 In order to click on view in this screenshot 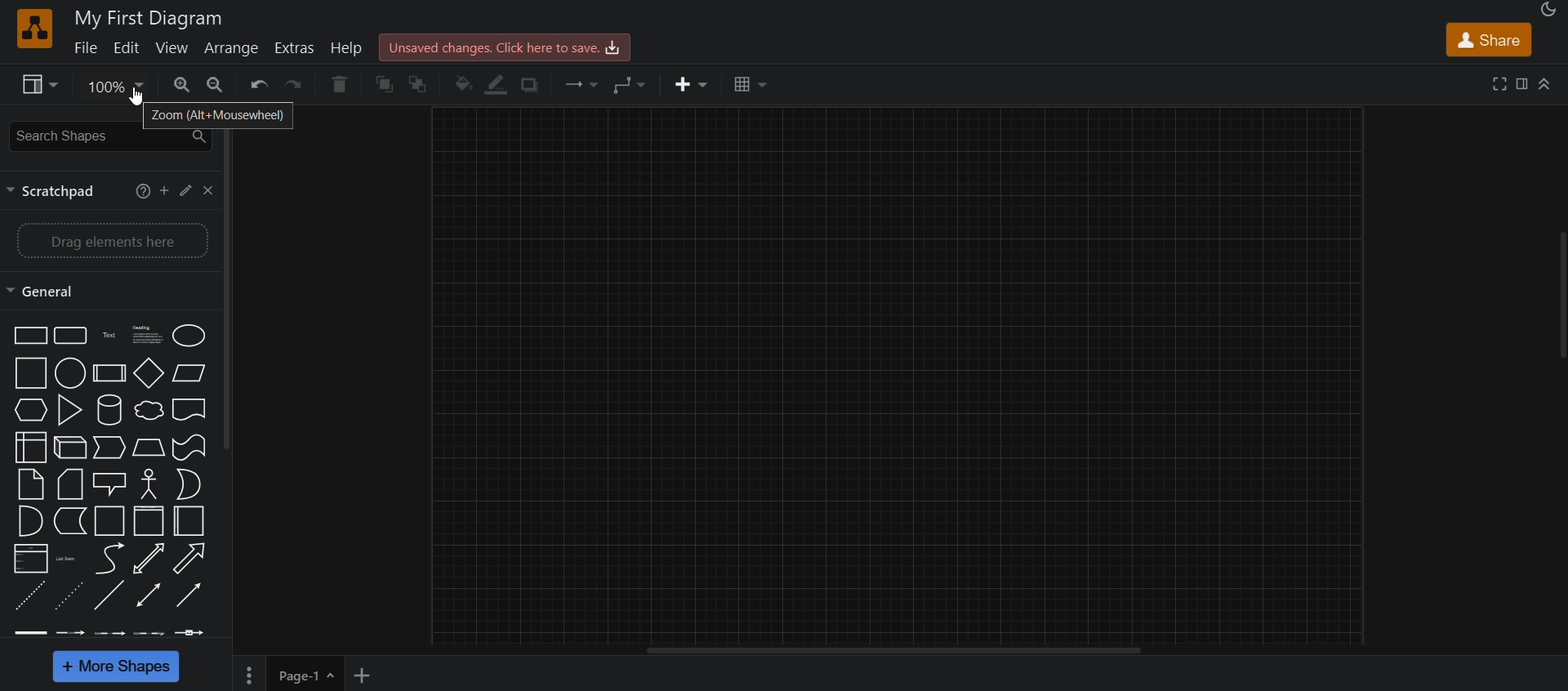, I will do `click(171, 47)`.